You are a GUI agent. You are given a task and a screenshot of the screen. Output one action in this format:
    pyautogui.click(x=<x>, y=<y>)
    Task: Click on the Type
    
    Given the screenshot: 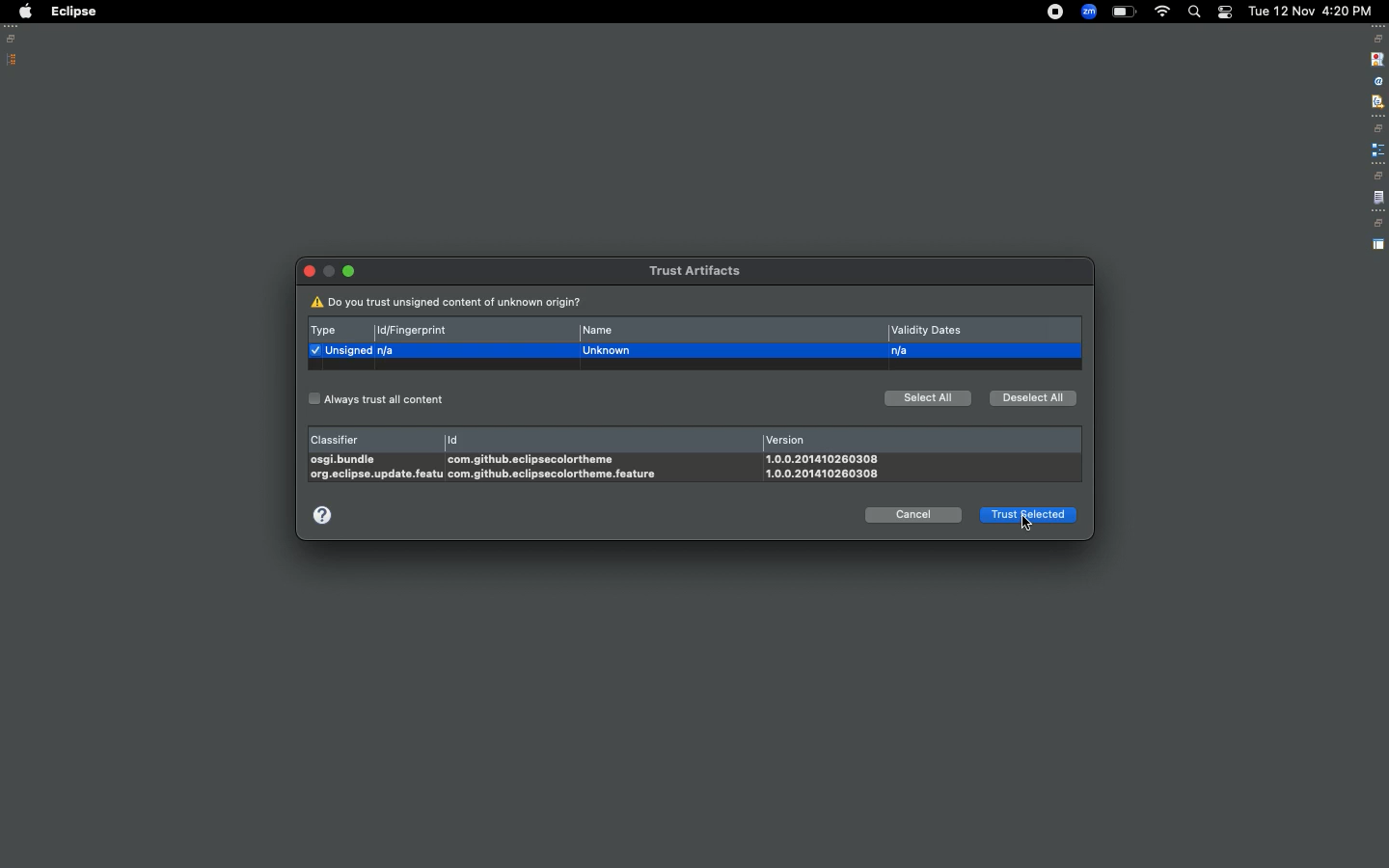 What is the action you would take?
    pyautogui.click(x=330, y=328)
    